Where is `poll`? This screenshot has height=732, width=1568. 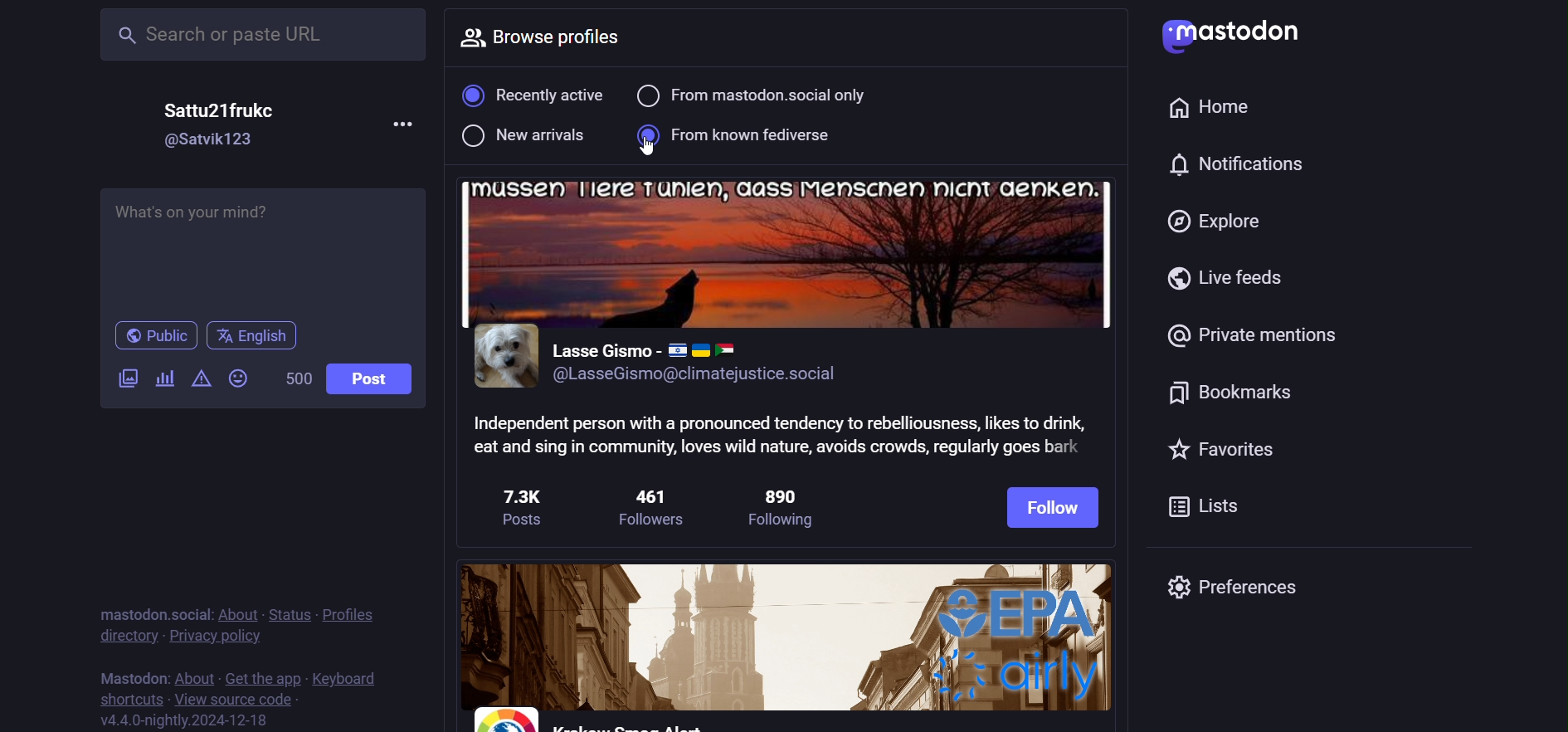 poll is located at coordinates (162, 377).